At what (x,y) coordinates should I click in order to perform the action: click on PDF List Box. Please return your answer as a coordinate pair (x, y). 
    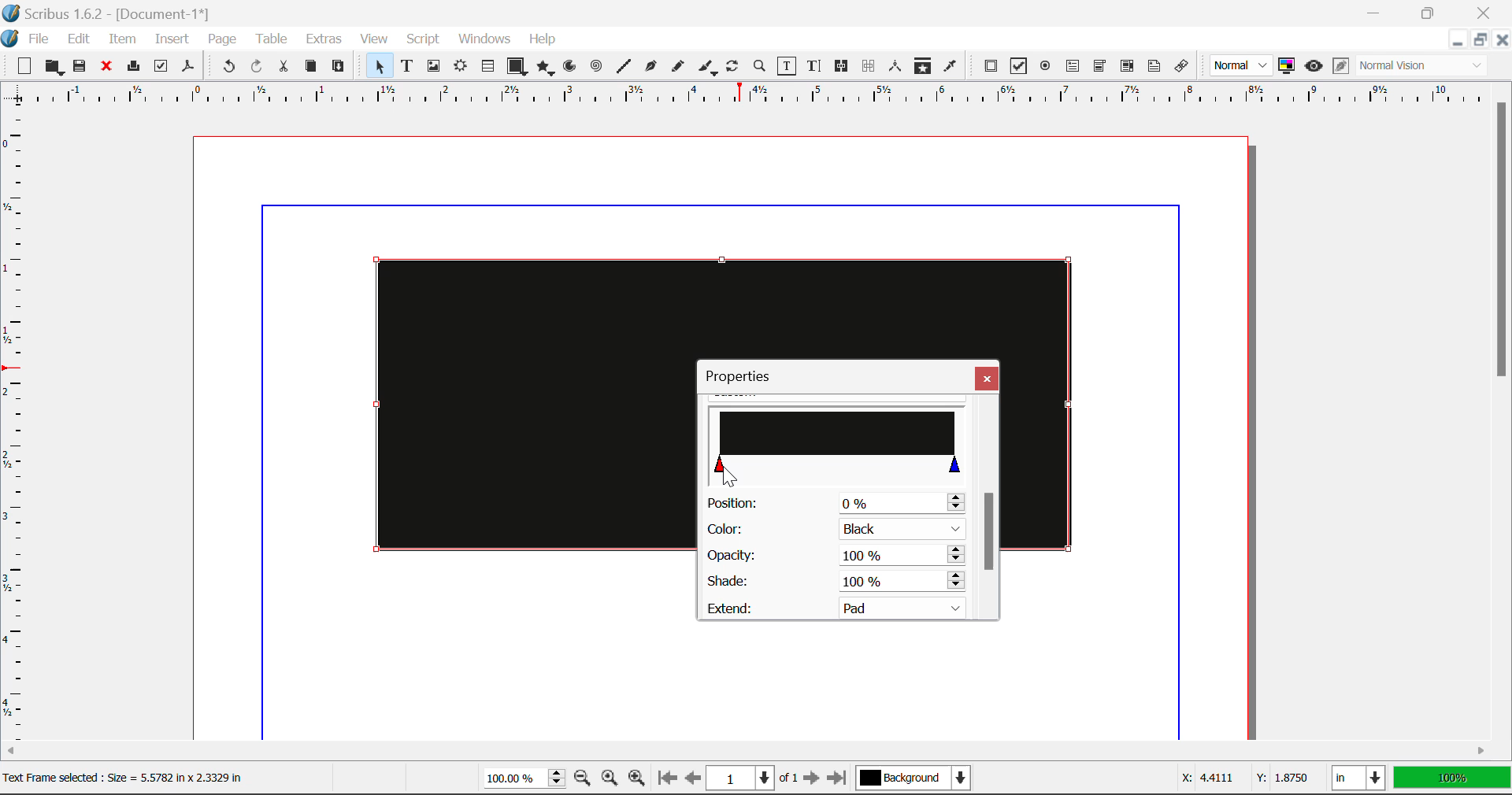
    Looking at the image, I should click on (1128, 66).